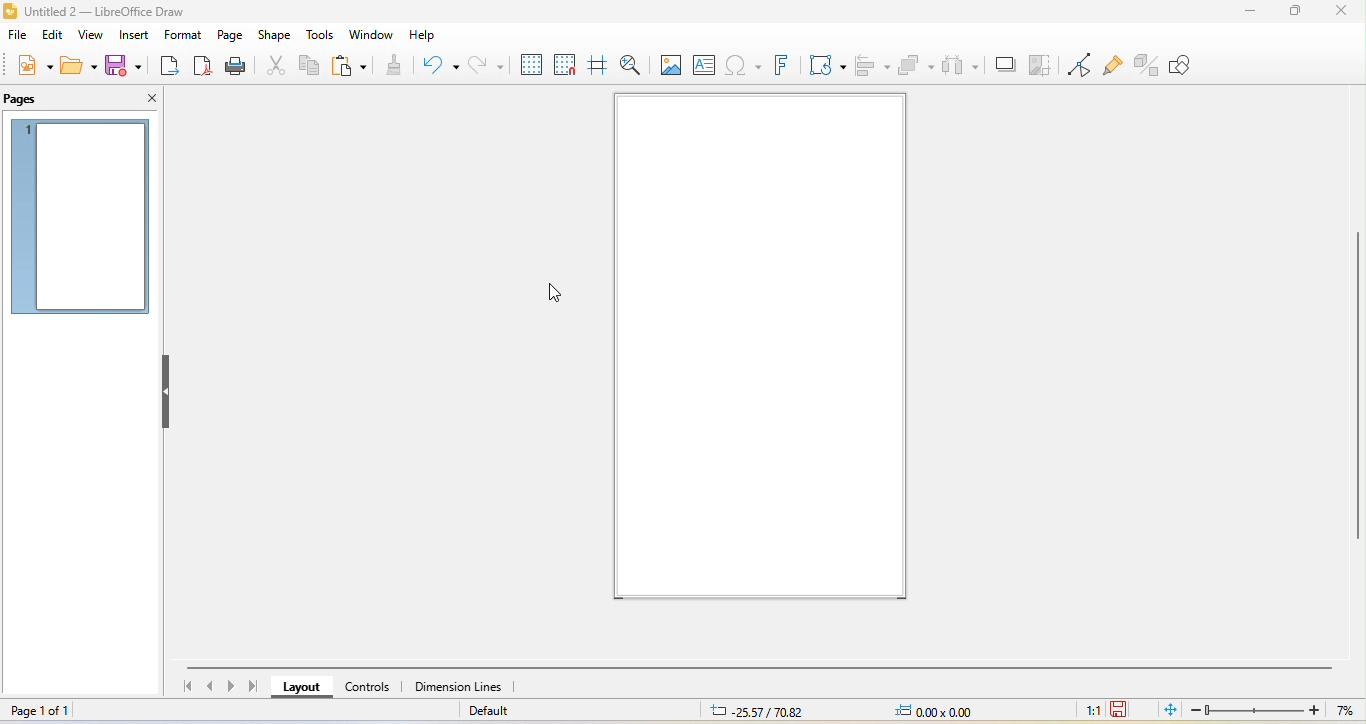 Image resolution: width=1366 pixels, height=724 pixels. I want to click on align object, so click(876, 65).